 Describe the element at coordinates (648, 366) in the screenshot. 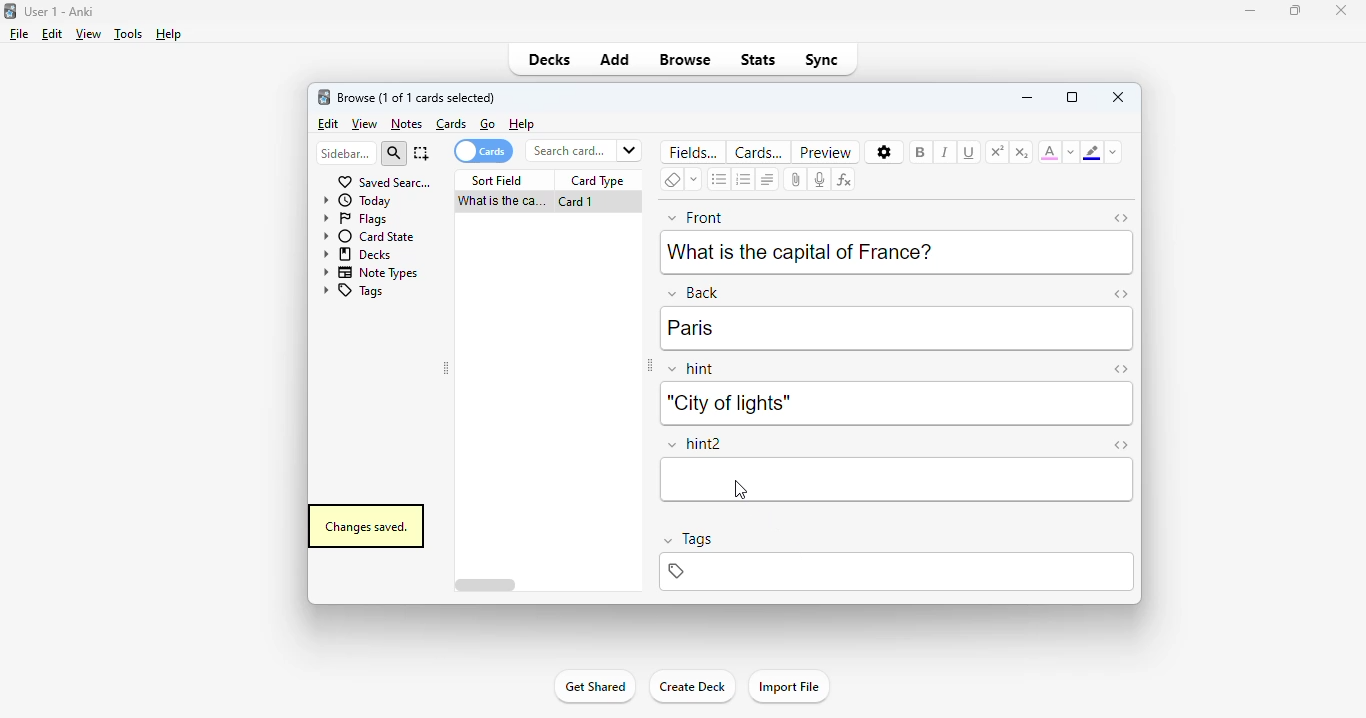

I see `toggle sidebar` at that location.